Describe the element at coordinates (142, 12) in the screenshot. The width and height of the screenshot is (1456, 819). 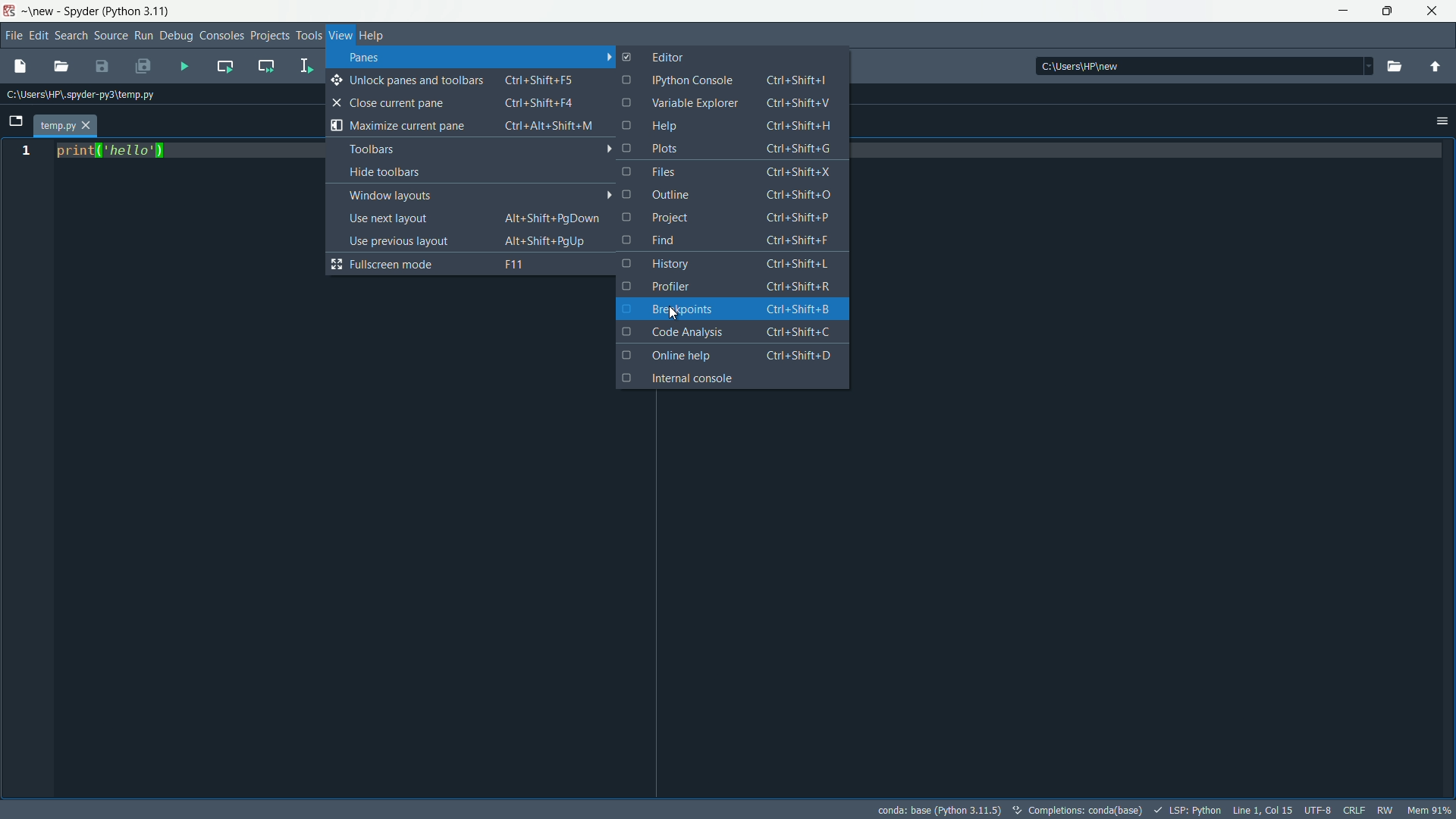
I see `python 3.11` at that location.